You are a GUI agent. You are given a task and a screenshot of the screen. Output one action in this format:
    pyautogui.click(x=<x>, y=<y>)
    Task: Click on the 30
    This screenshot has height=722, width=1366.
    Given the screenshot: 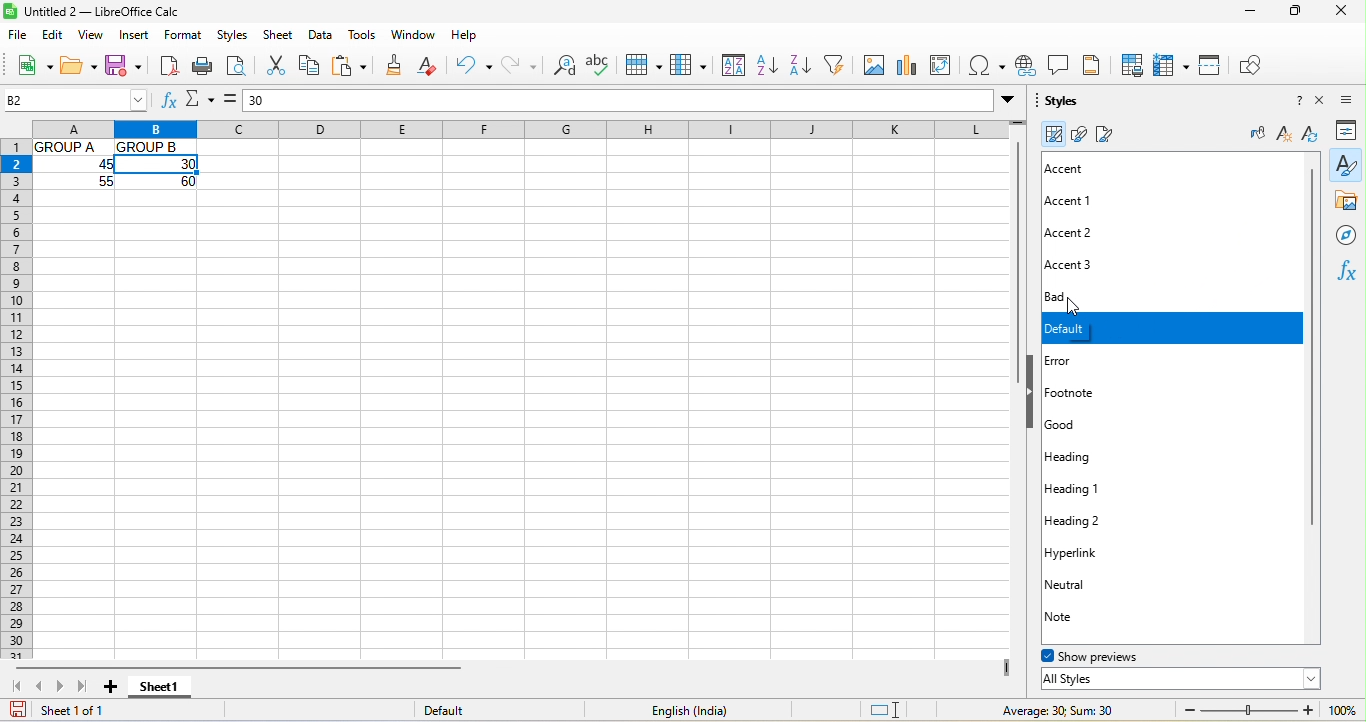 What is the action you would take?
    pyautogui.click(x=631, y=100)
    